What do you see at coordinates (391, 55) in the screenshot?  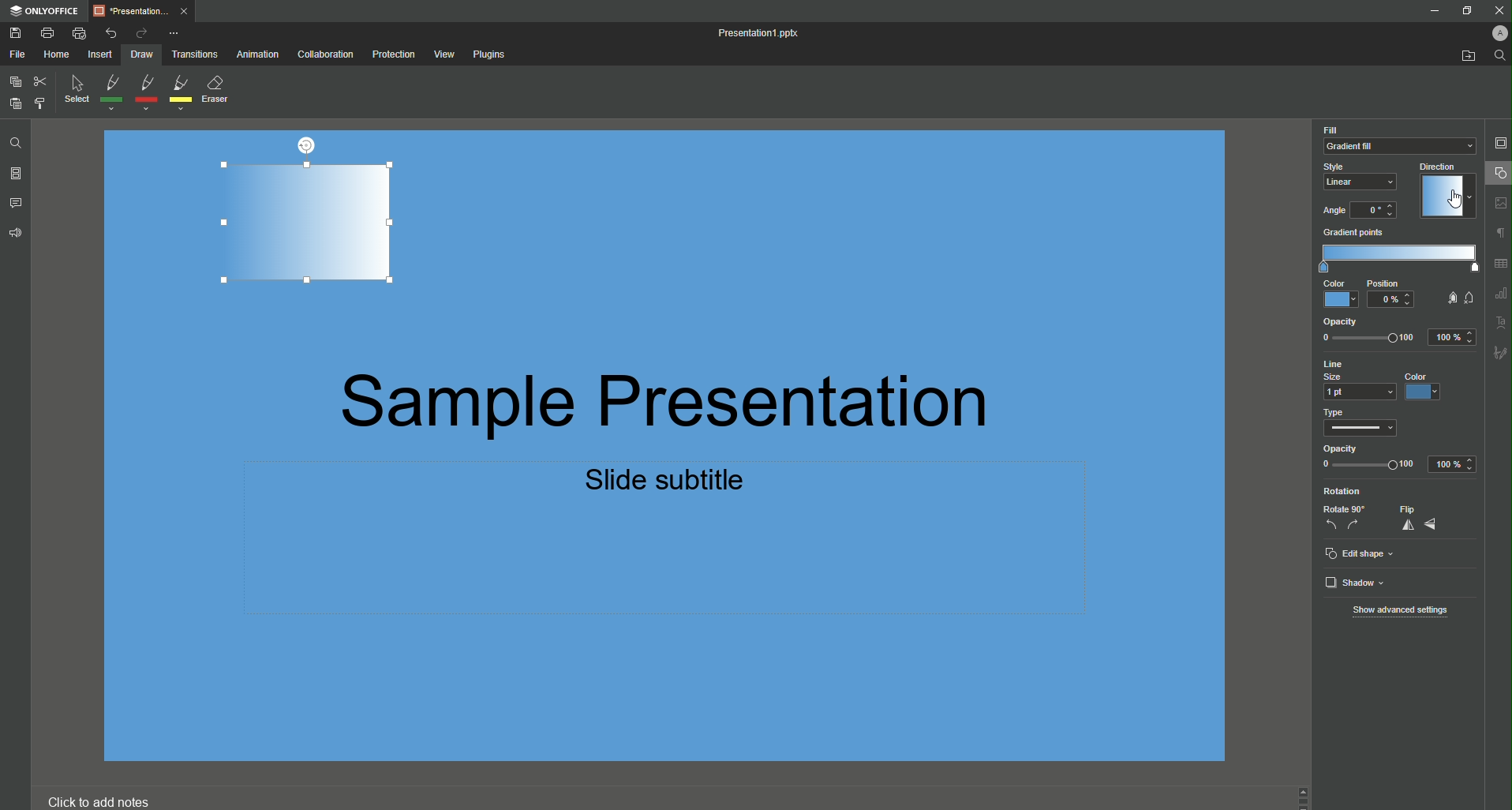 I see `Protection` at bounding box center [391, 55].